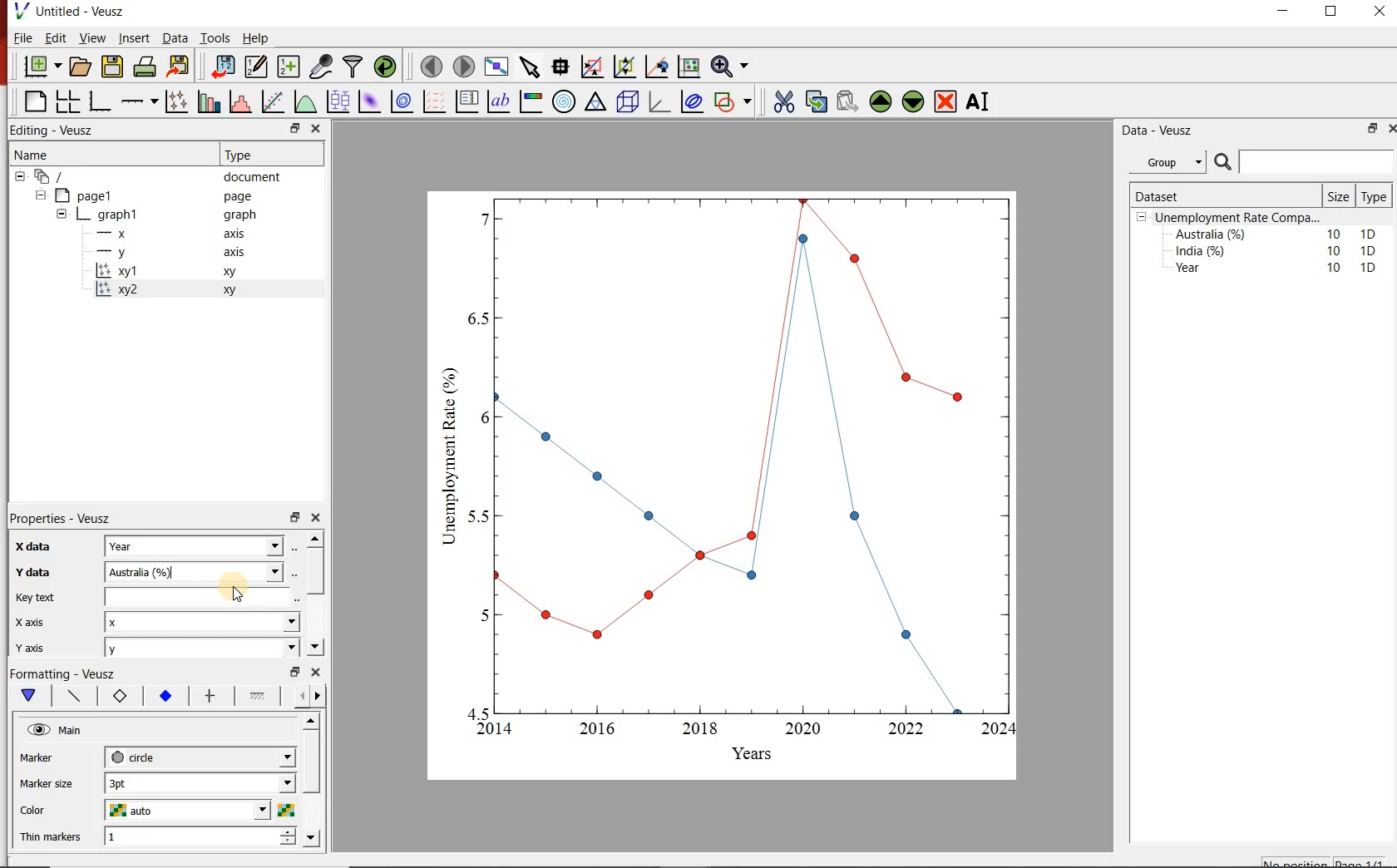  Describe the element at coordinates (295, 670) in the screenshot. I see `minimise` at that location.